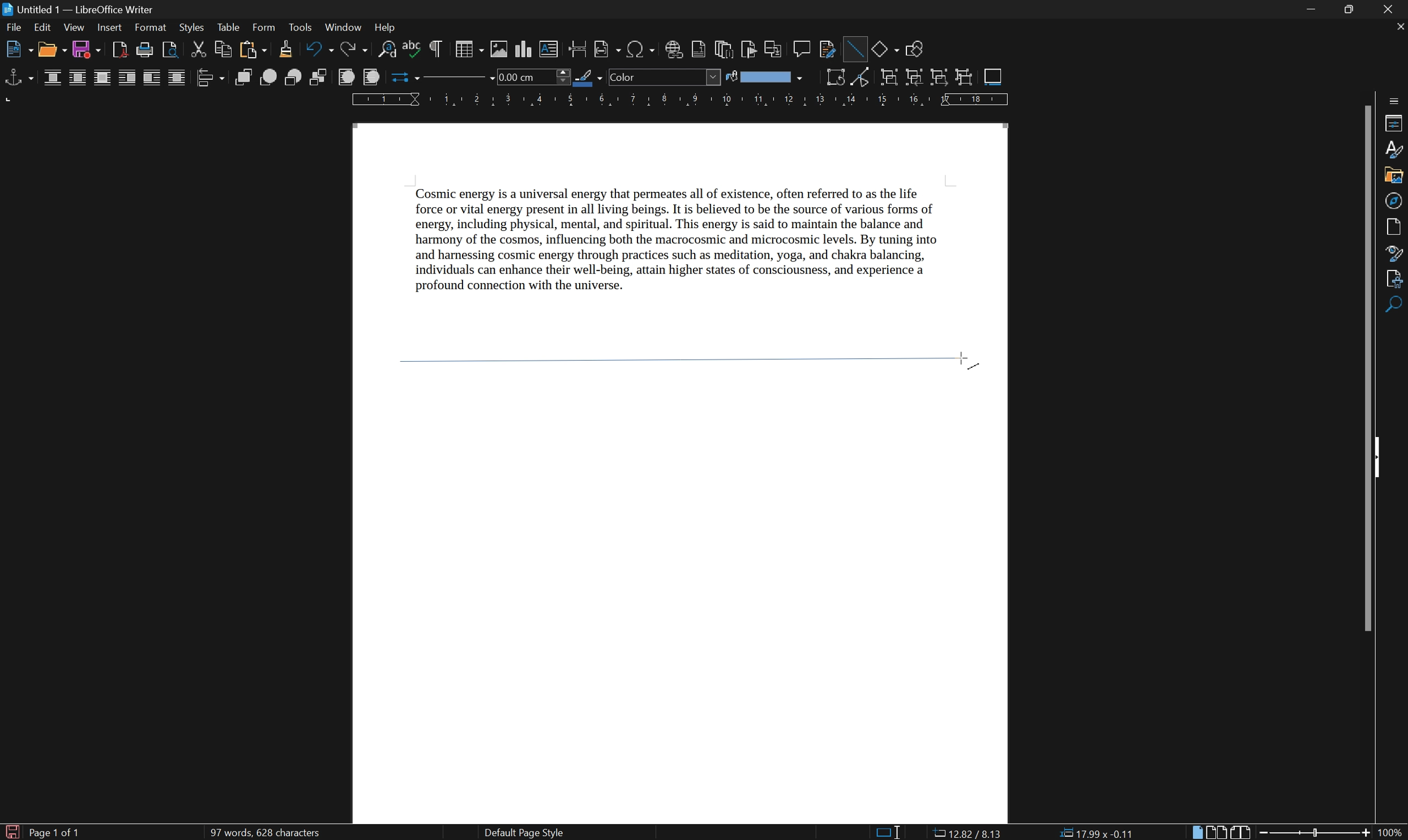 This screenshot has height=840, width=1408. What do you see at coordinates (500, 49) in the screenshot?
I see `insert image` at bounding box center [500, 49].